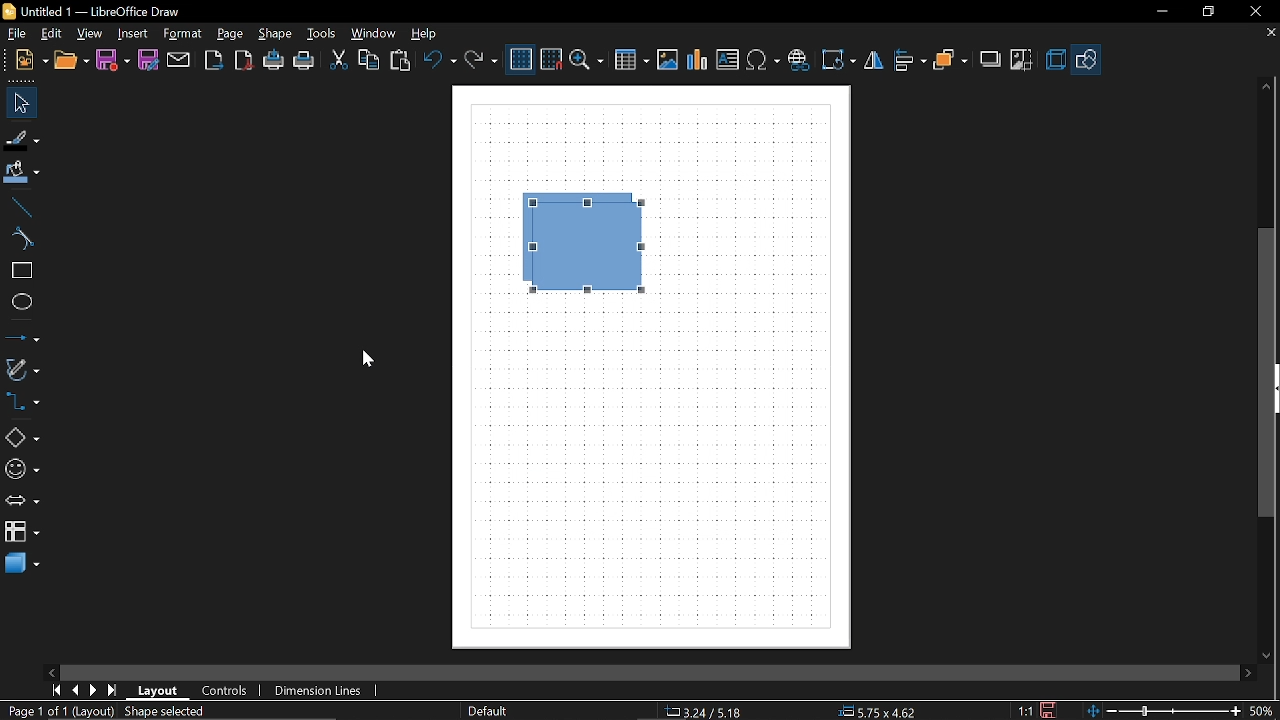  Describe the element at coordinates (1270, 33) in the screenshot. I see `CLose tab` at that location.